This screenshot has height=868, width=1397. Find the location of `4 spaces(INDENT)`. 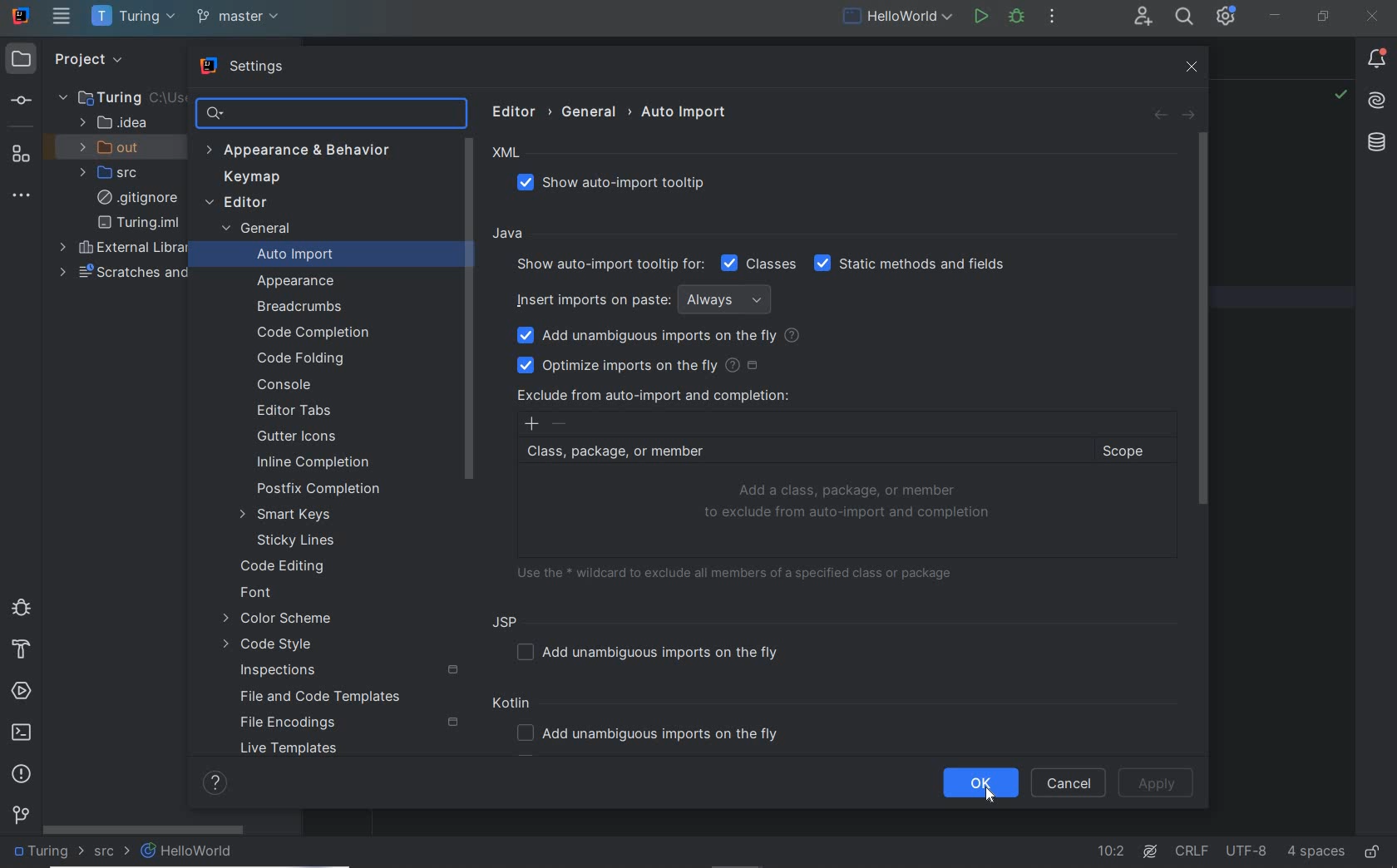

4 spaces(INDENT) is located at coordinates (1316, 850).